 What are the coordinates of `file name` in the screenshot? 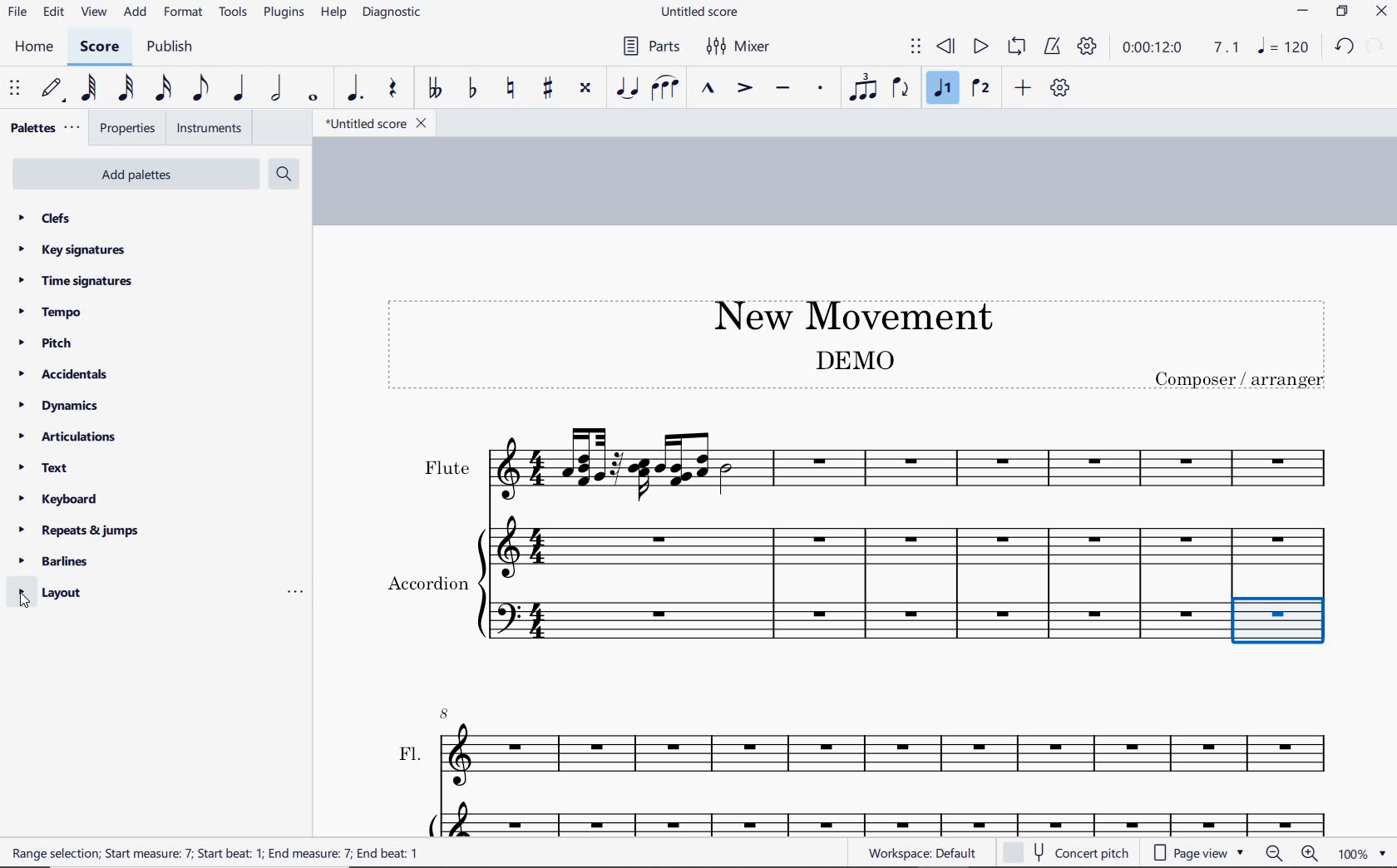 It's located at (374, 124).